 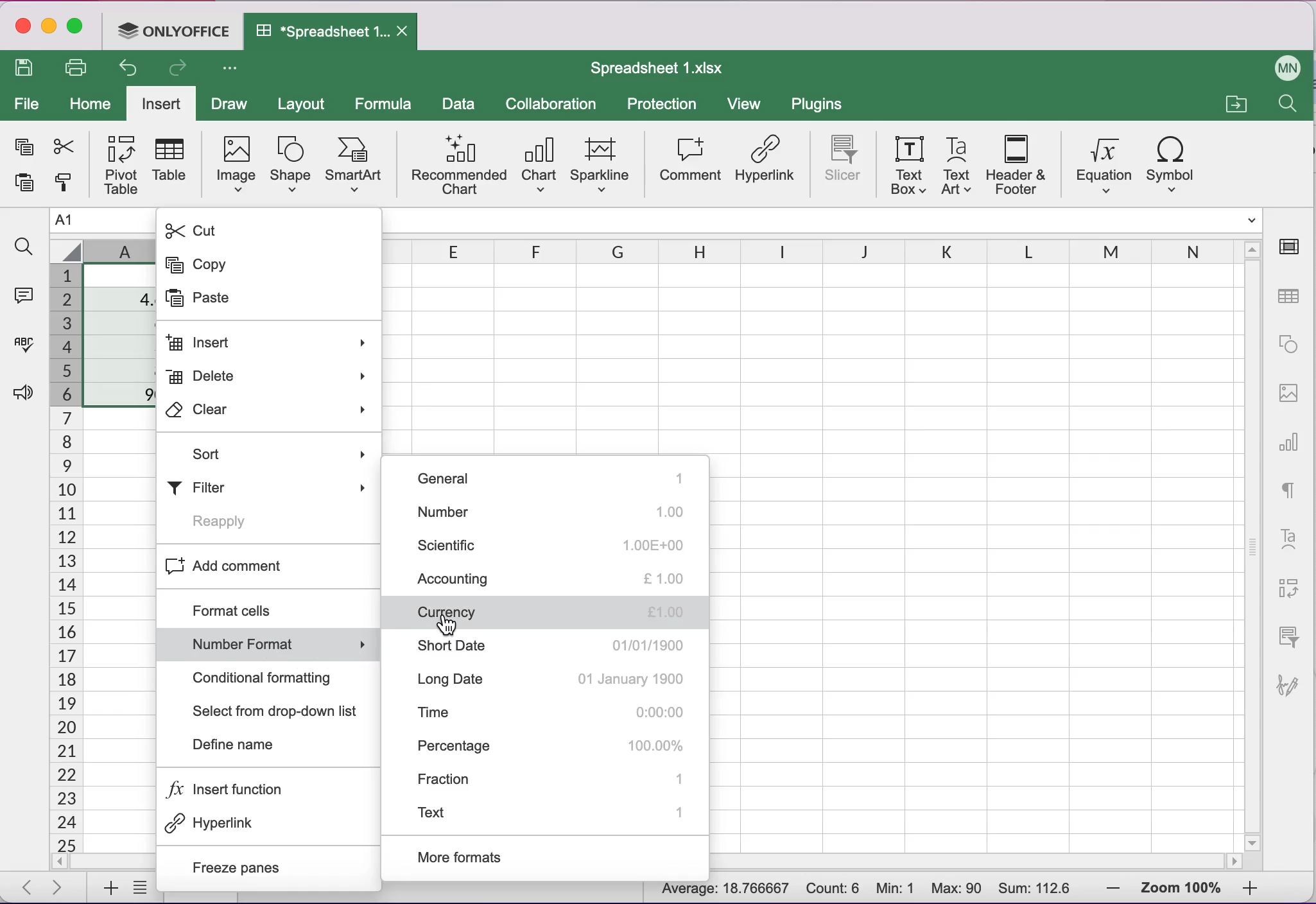 I want to click on cell settings, so click(x=1292, y=248).